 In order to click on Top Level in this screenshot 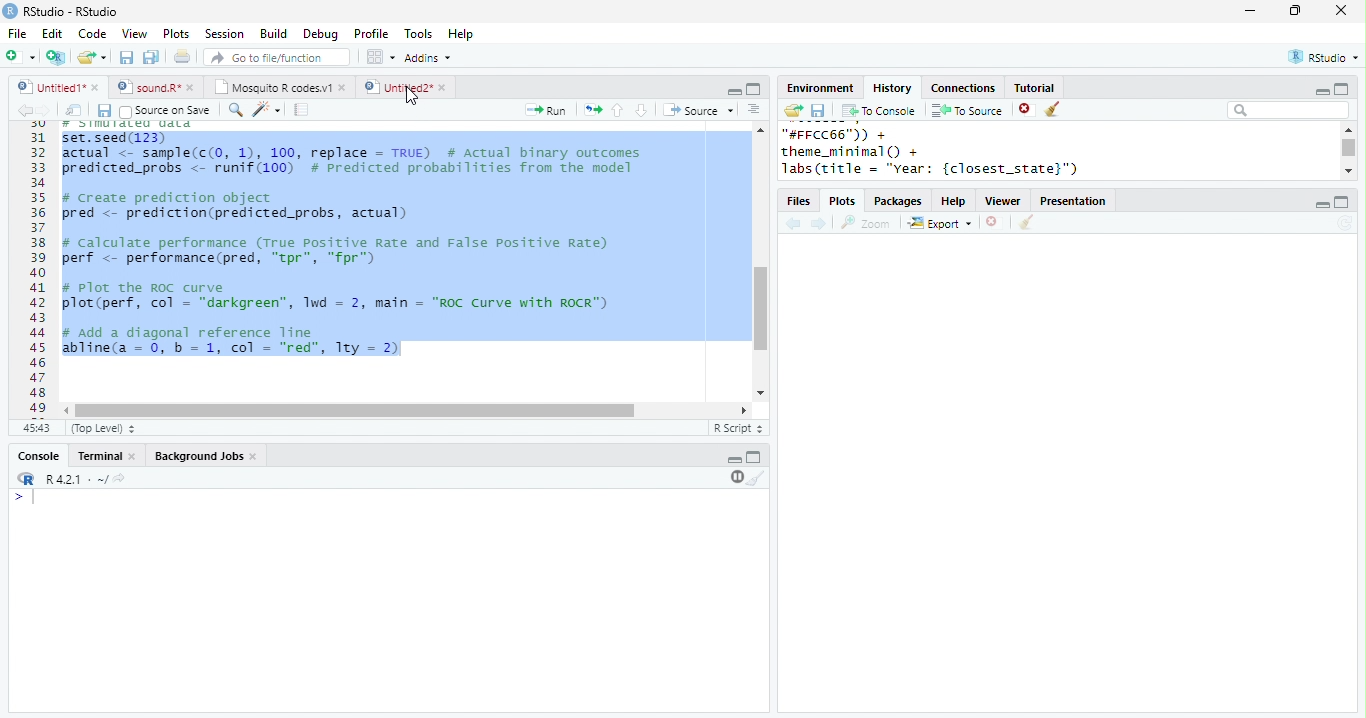, I will do `click(105, 428)`.